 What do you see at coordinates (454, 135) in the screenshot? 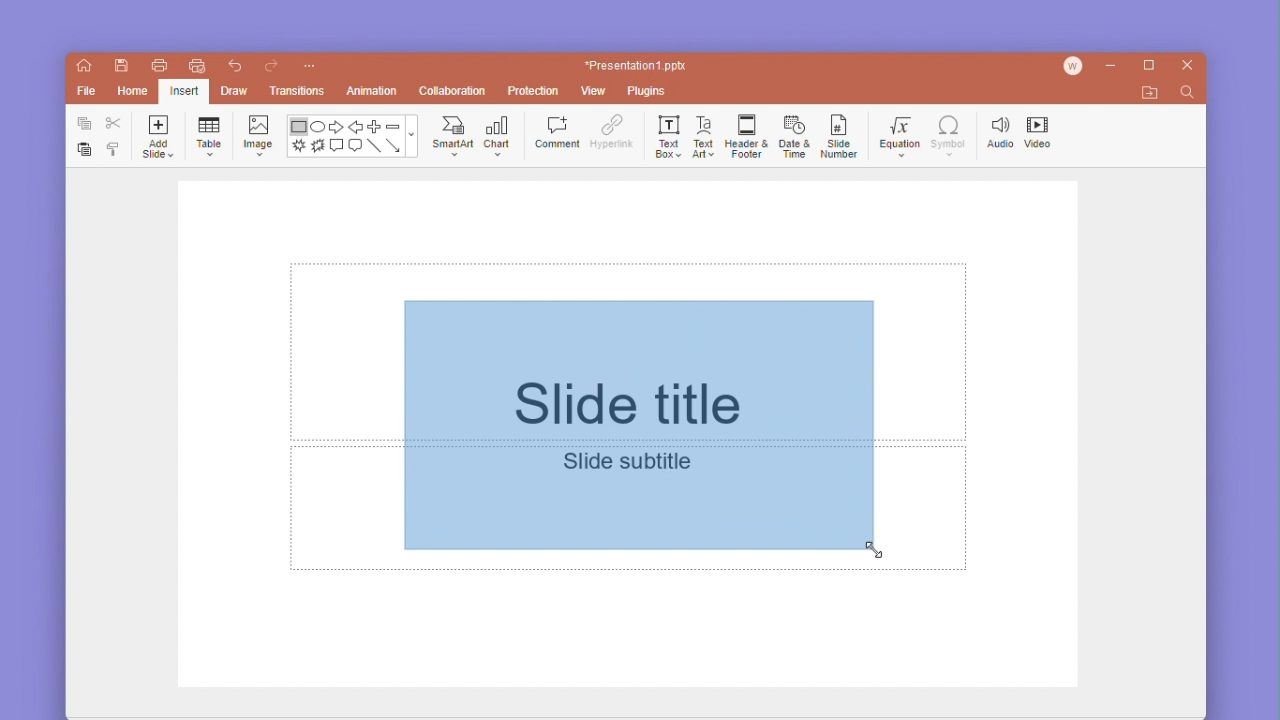
I see `smartart` at bounding box center [454, 135].